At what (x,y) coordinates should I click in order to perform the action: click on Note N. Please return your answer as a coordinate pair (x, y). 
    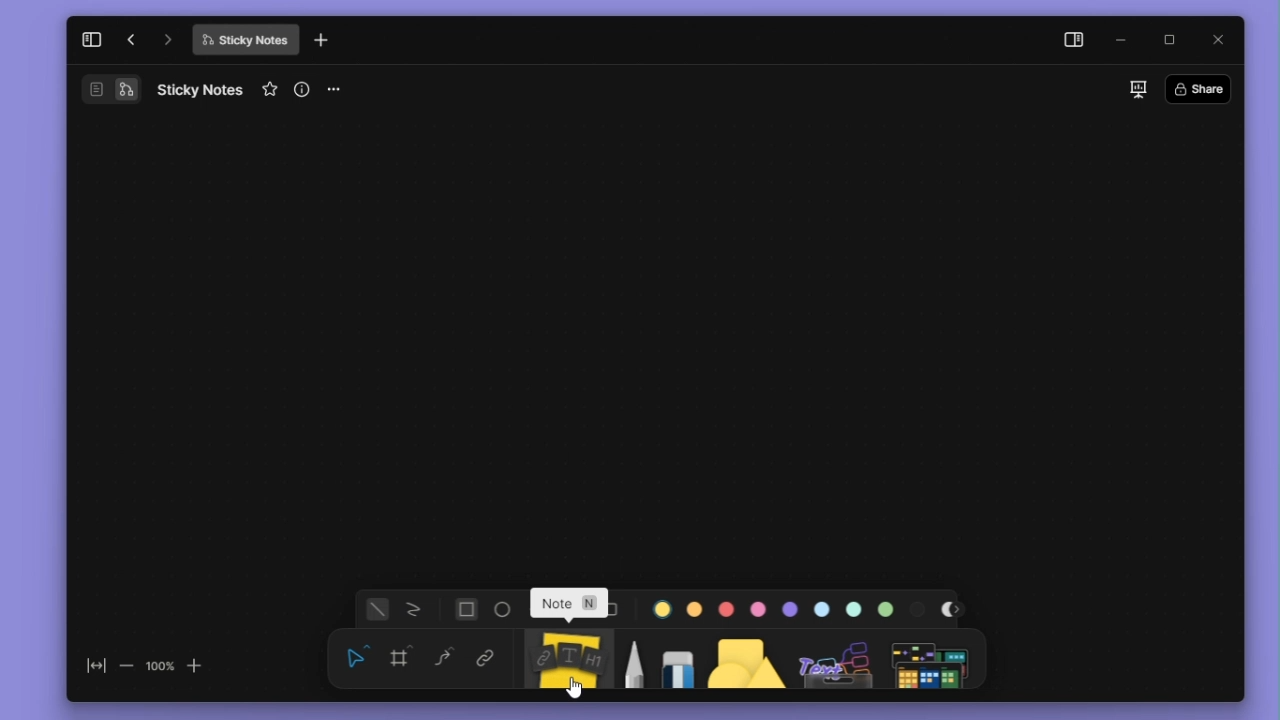
    Looking at the image, I should click on (577, 606).